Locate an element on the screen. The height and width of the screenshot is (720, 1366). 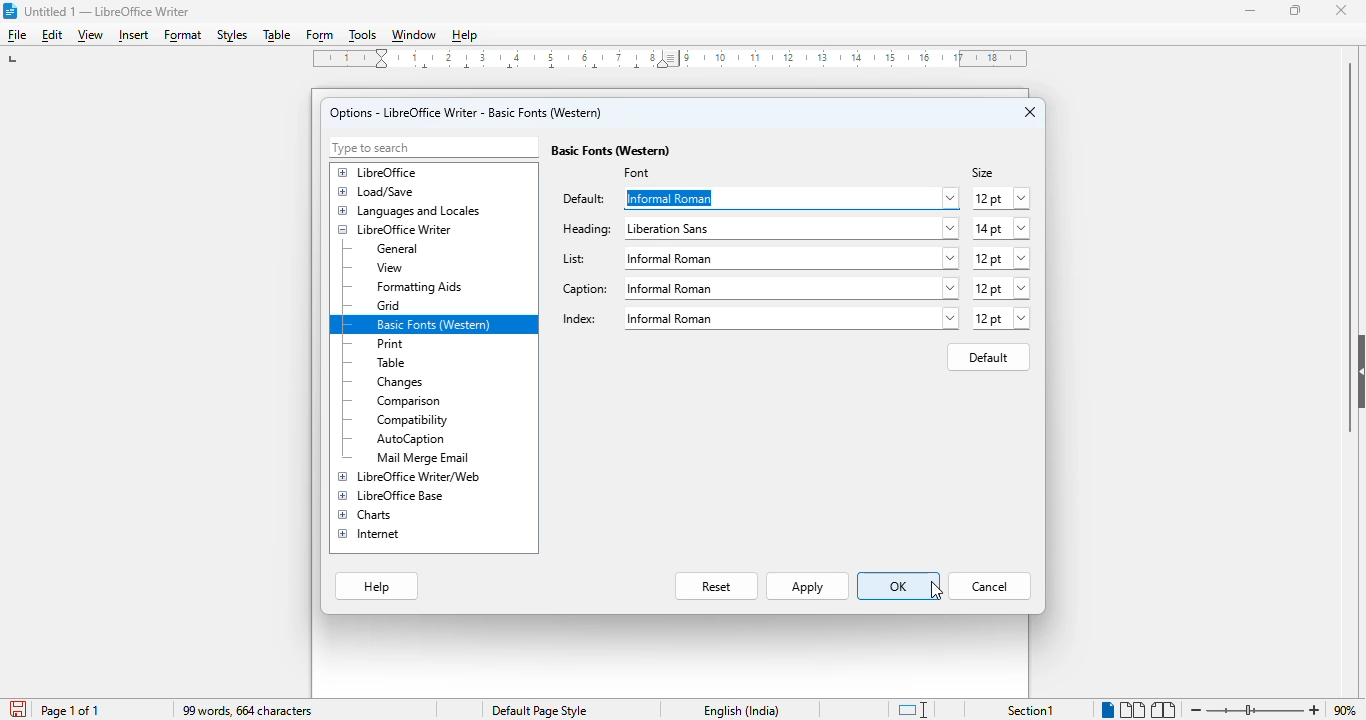
OK is located at coordinates (899, 586).